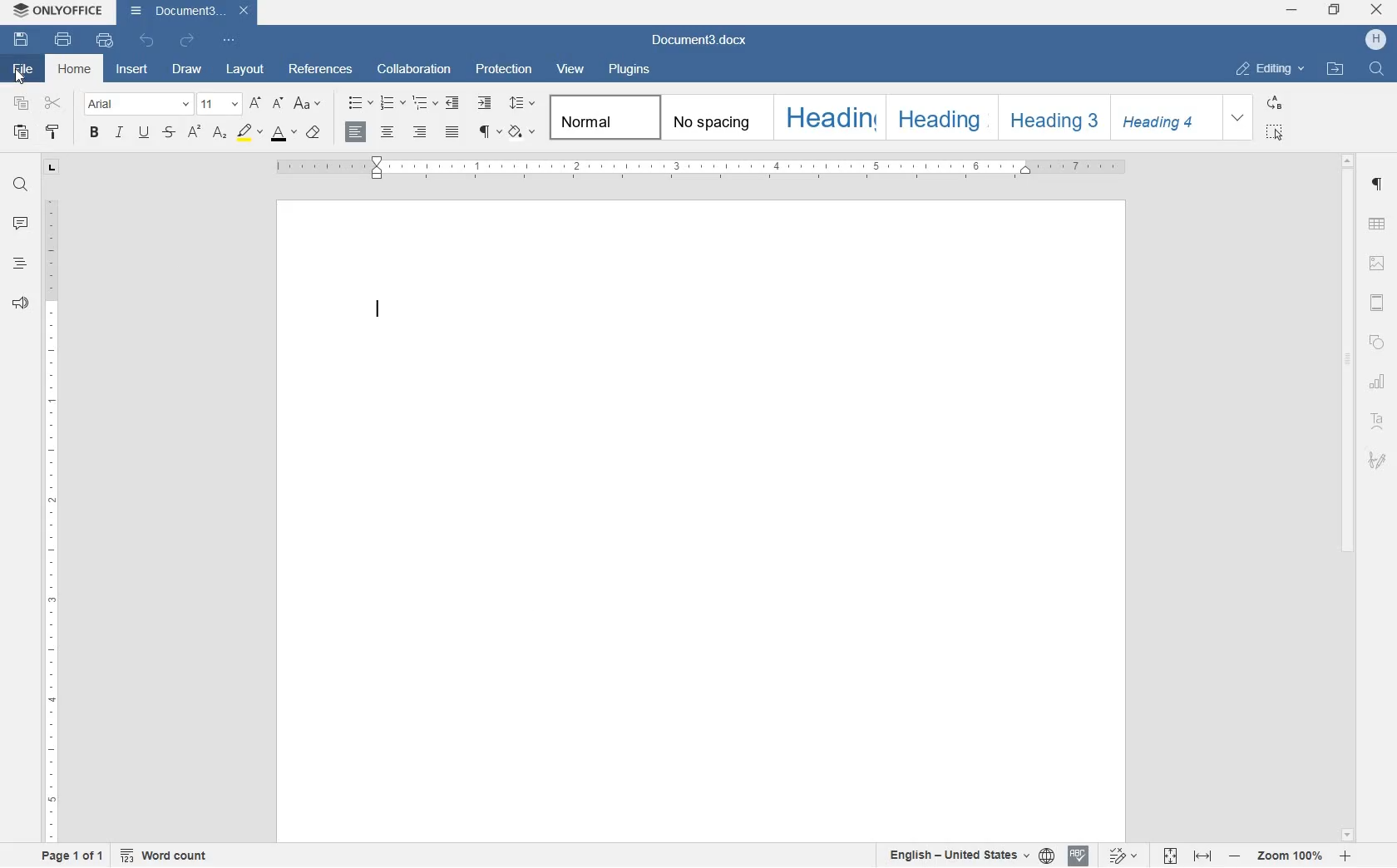 The height and width of the screenshot is (868, 1397). Describe the element at coordinates (242, 72) in the screenshot. I see `layout` at that location.